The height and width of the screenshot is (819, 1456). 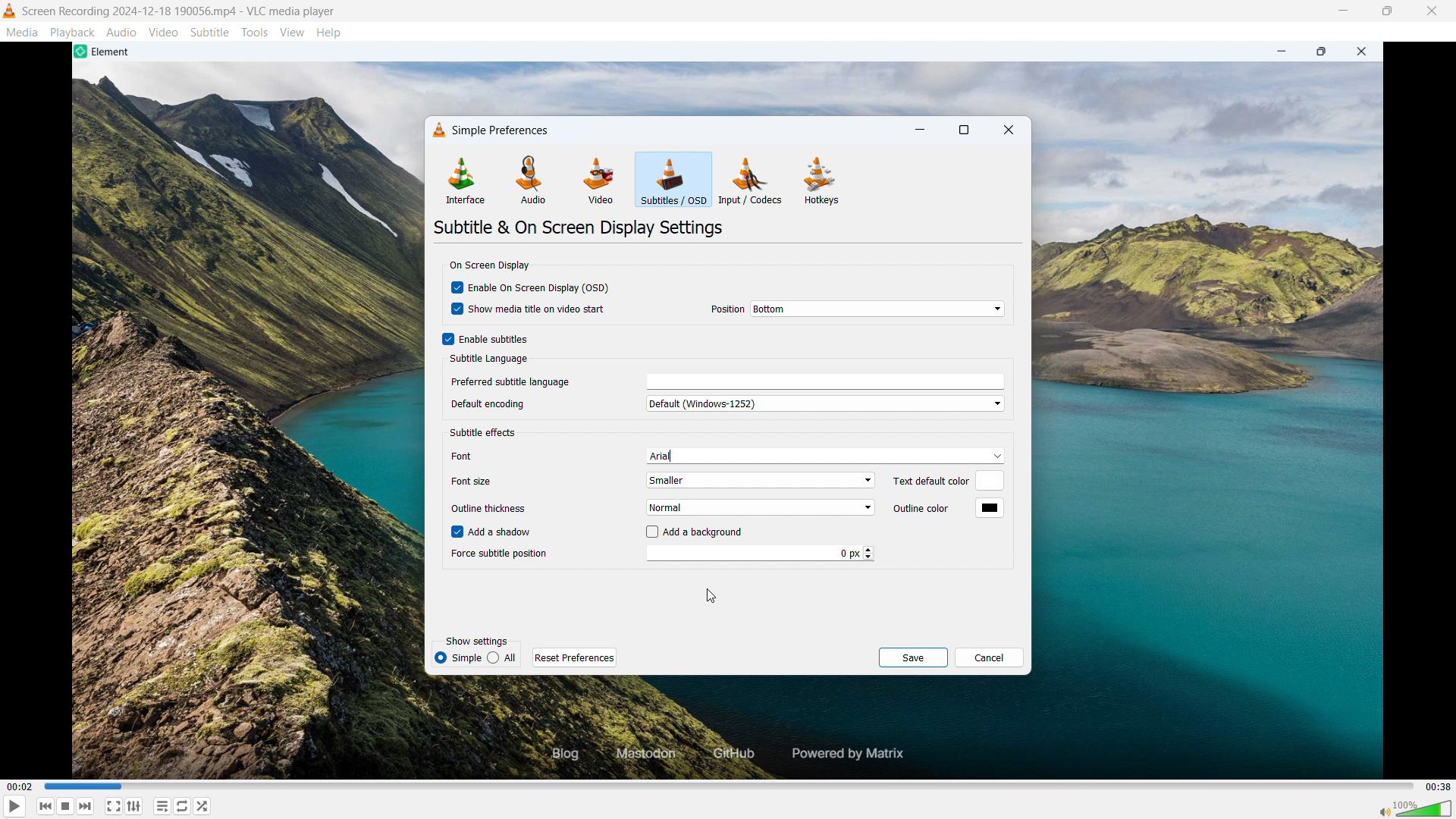 What do you see at coordinates (73, 32) in the screenshot?
I see `playback` at bounding box center [73, 32].